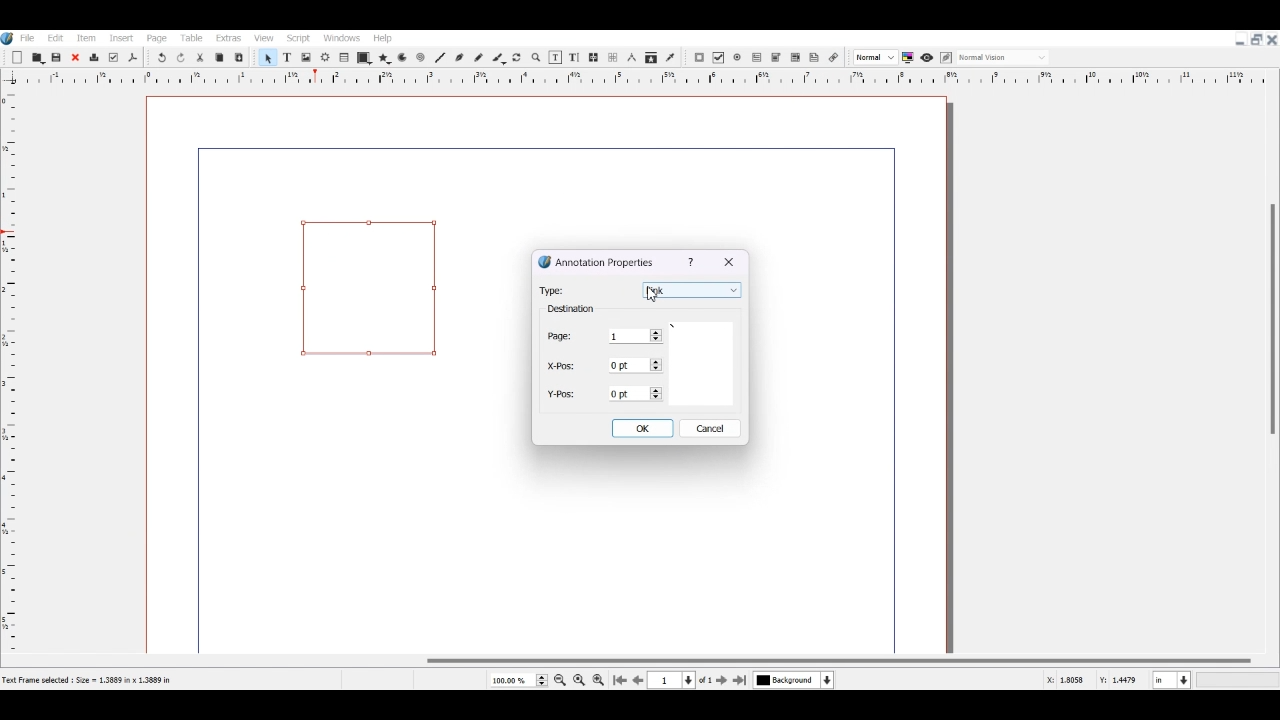  What do you see at coordinates (640, 289) in the screenshot?
I see `Type` at bounding box center [640, 289].